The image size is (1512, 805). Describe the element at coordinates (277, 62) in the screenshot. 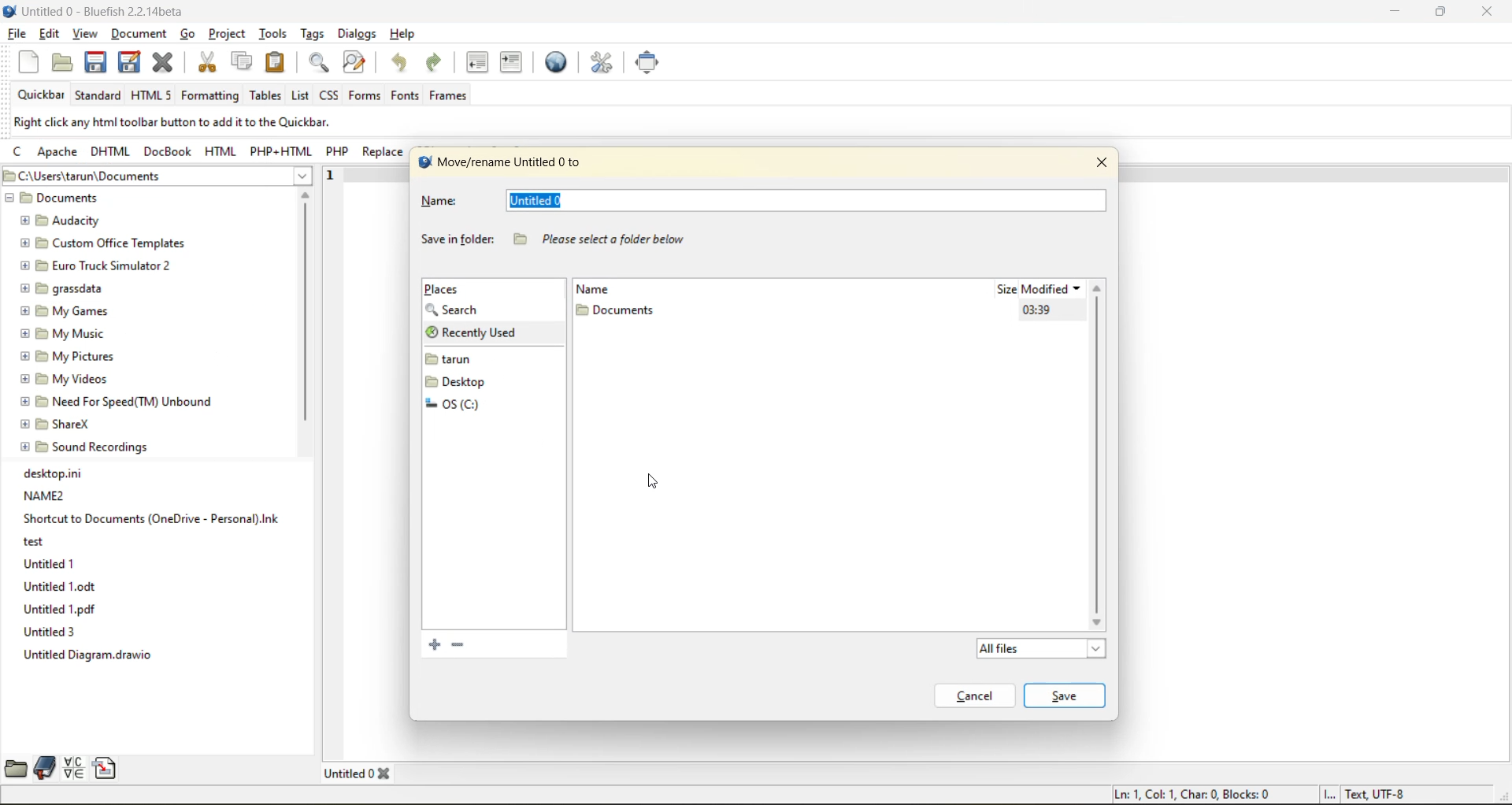

I see `paste` at that location.